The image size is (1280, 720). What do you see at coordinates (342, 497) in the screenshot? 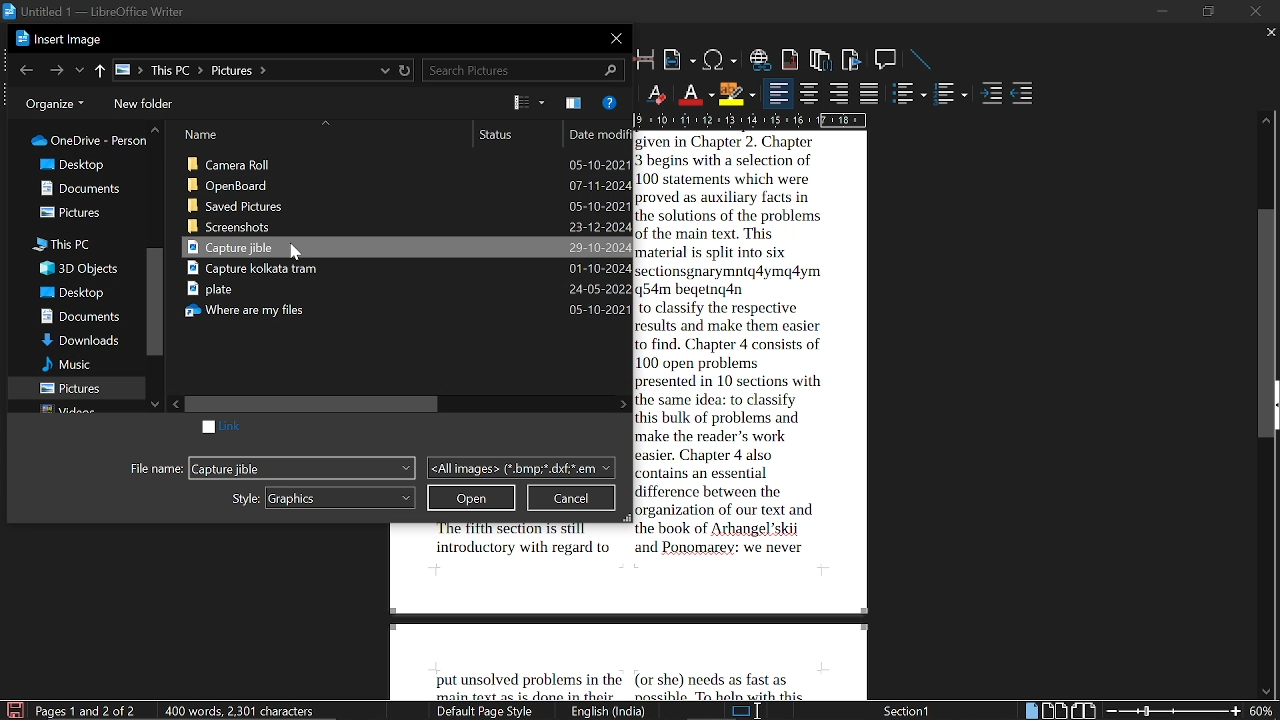
I see `styles` at bounding box center [342, 497].